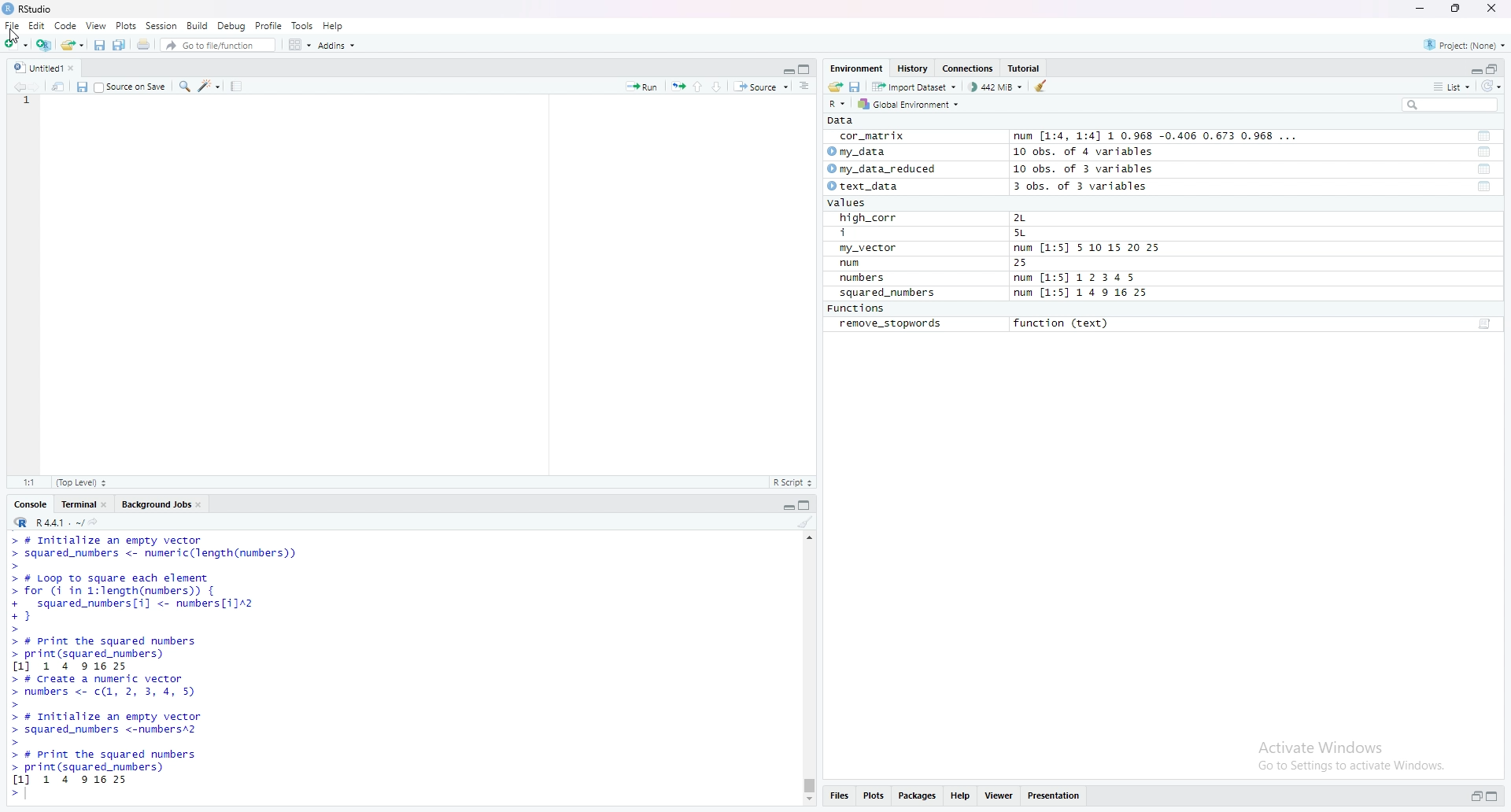  What do you see at coordinates (15, 87) in the screenshot?
I see `Move back` at bounding box center [15, 87].